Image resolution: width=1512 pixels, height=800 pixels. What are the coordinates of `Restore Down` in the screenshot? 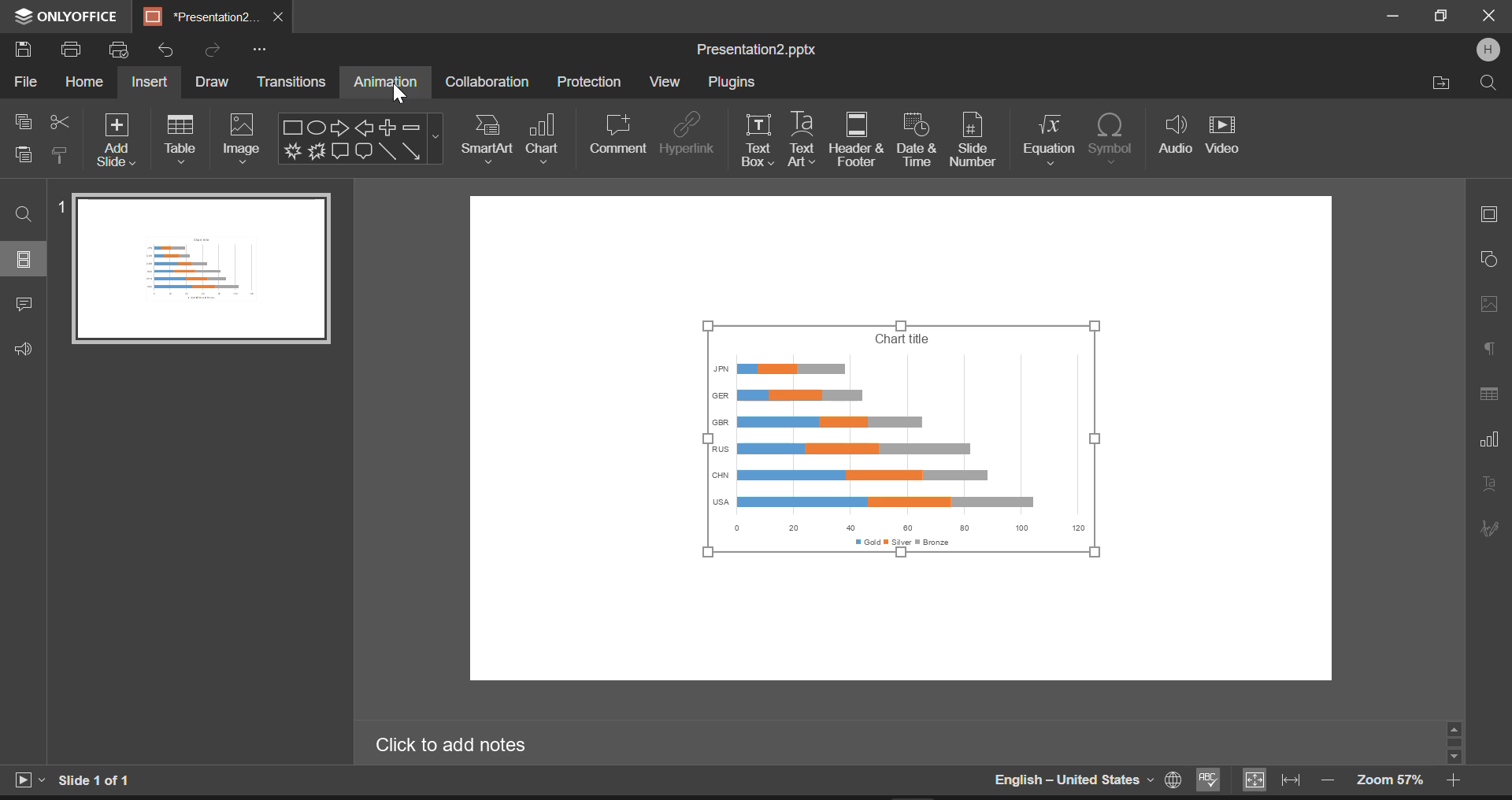 It's located at (1395, 17).